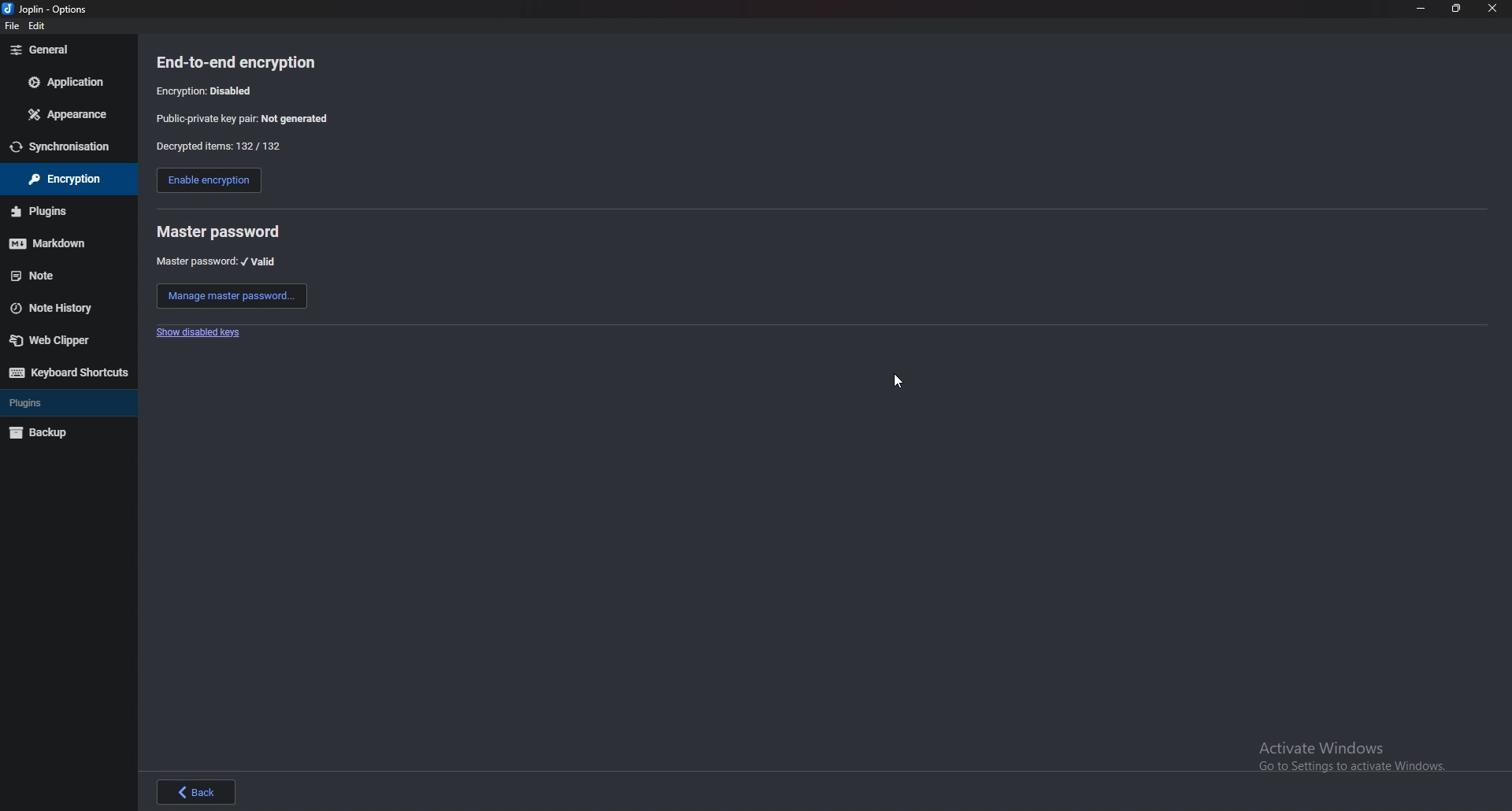  Describe the element at coordinates (1421, 9) in the screenshot. I see `minimize` at that location.